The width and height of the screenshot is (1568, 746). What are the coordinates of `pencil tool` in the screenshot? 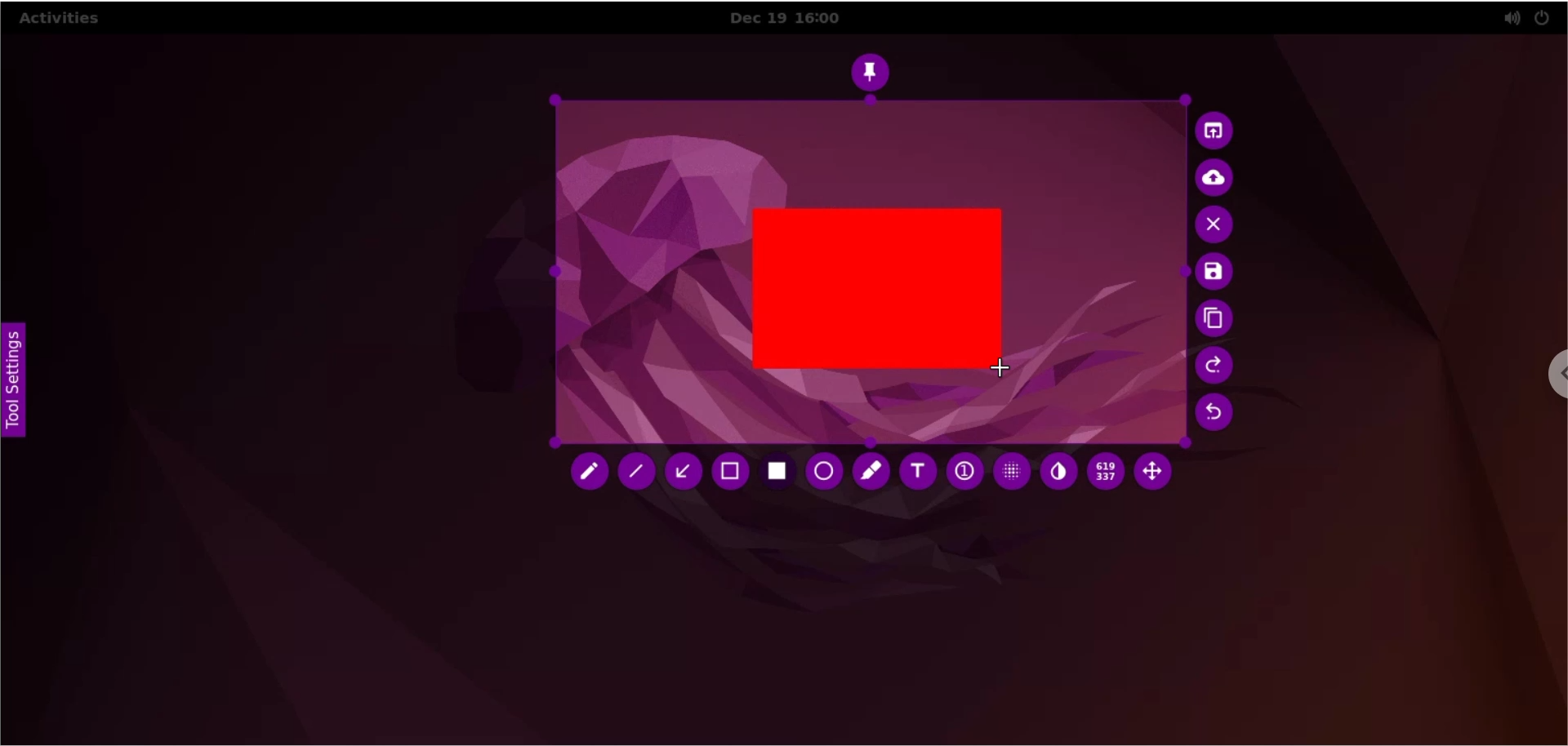 It's located at (589, 475).